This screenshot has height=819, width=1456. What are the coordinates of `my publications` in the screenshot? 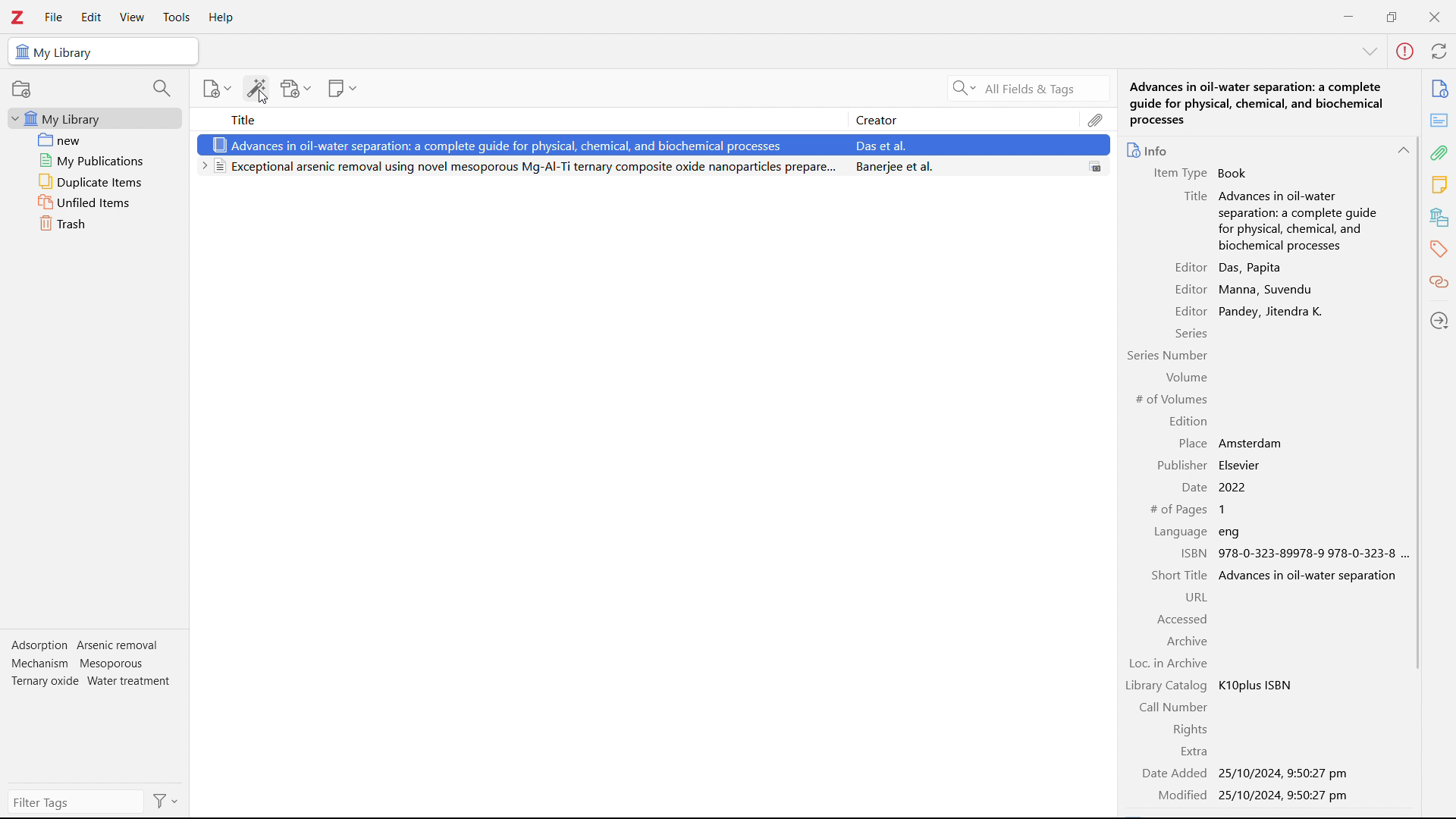 It's located at (96, 160).